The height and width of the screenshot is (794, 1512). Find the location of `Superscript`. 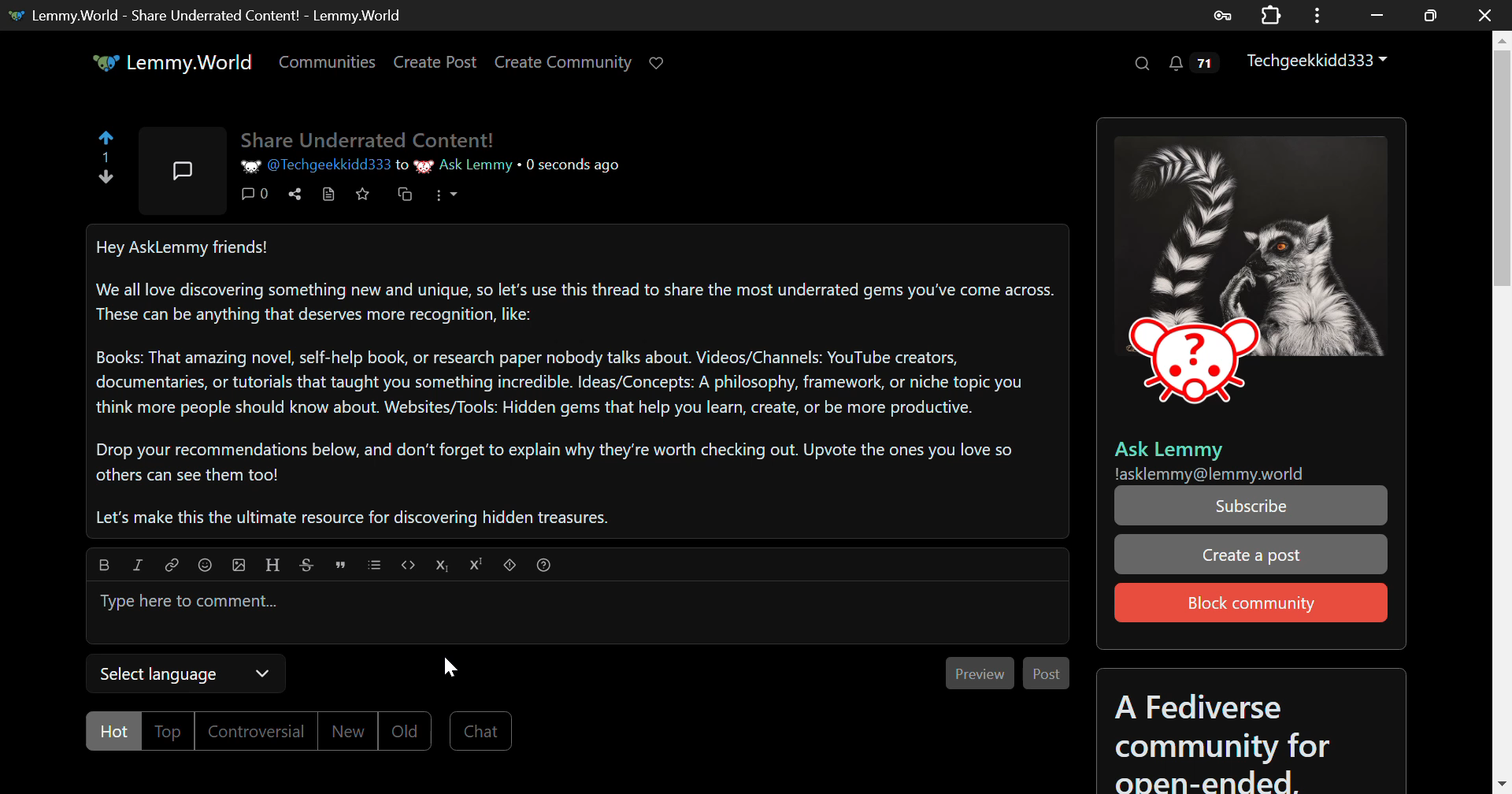

Superscript is located at coordinates (478, 566).